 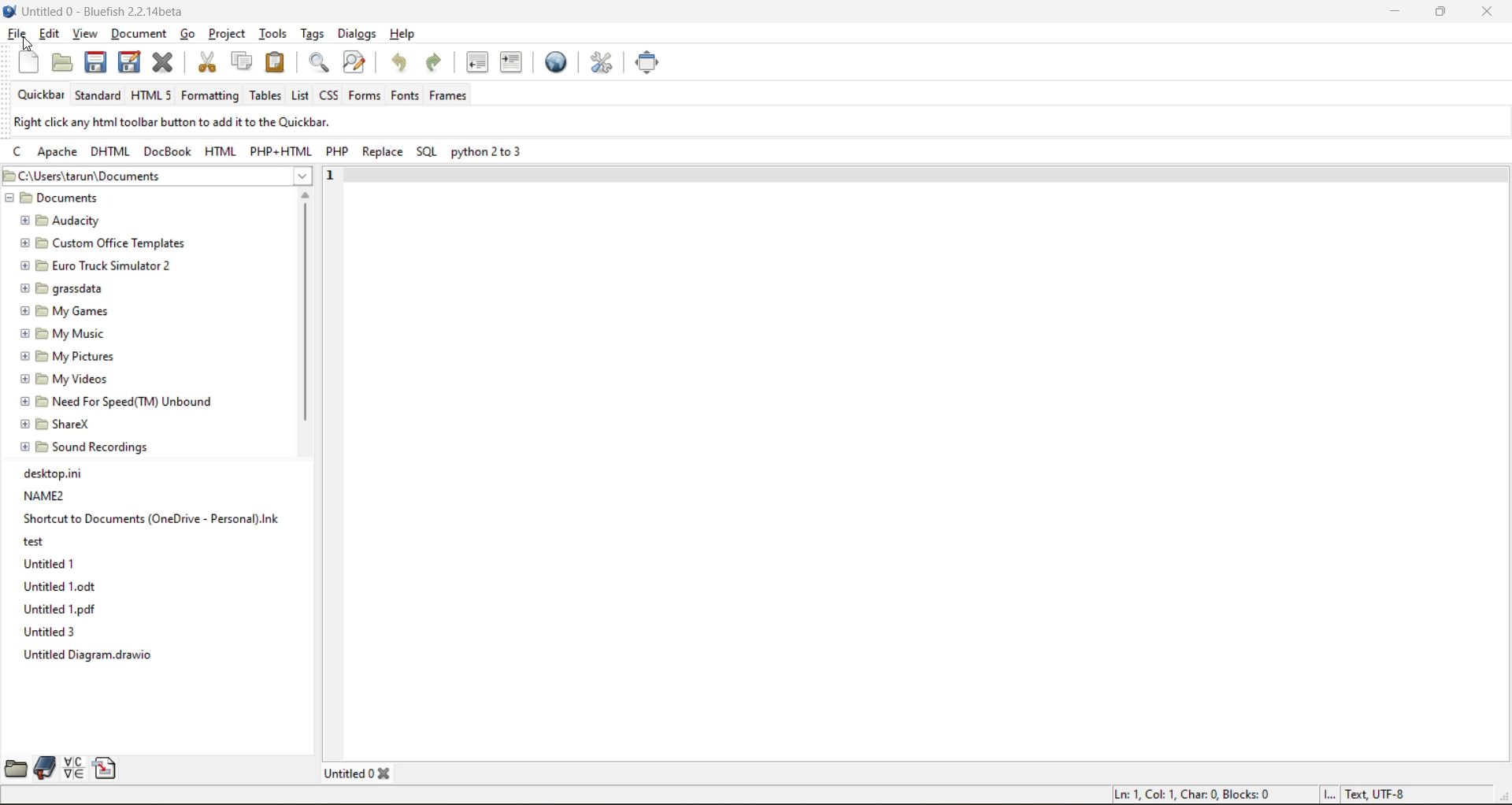 I want to click on preview in browser, so click(x=556, y=62).